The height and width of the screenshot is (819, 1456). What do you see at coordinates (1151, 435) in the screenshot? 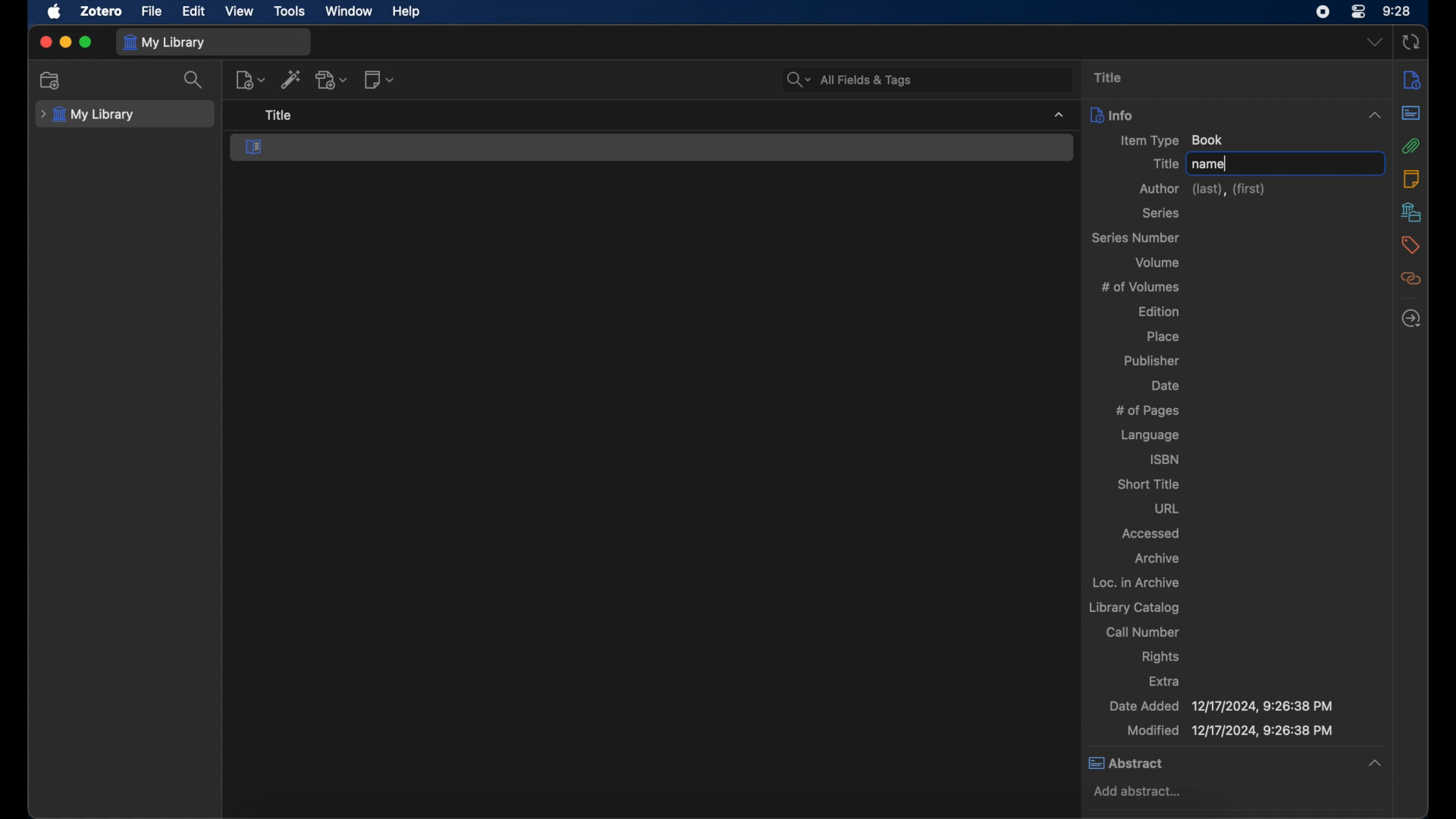
I see `language` at bounding box center [1151, 435].